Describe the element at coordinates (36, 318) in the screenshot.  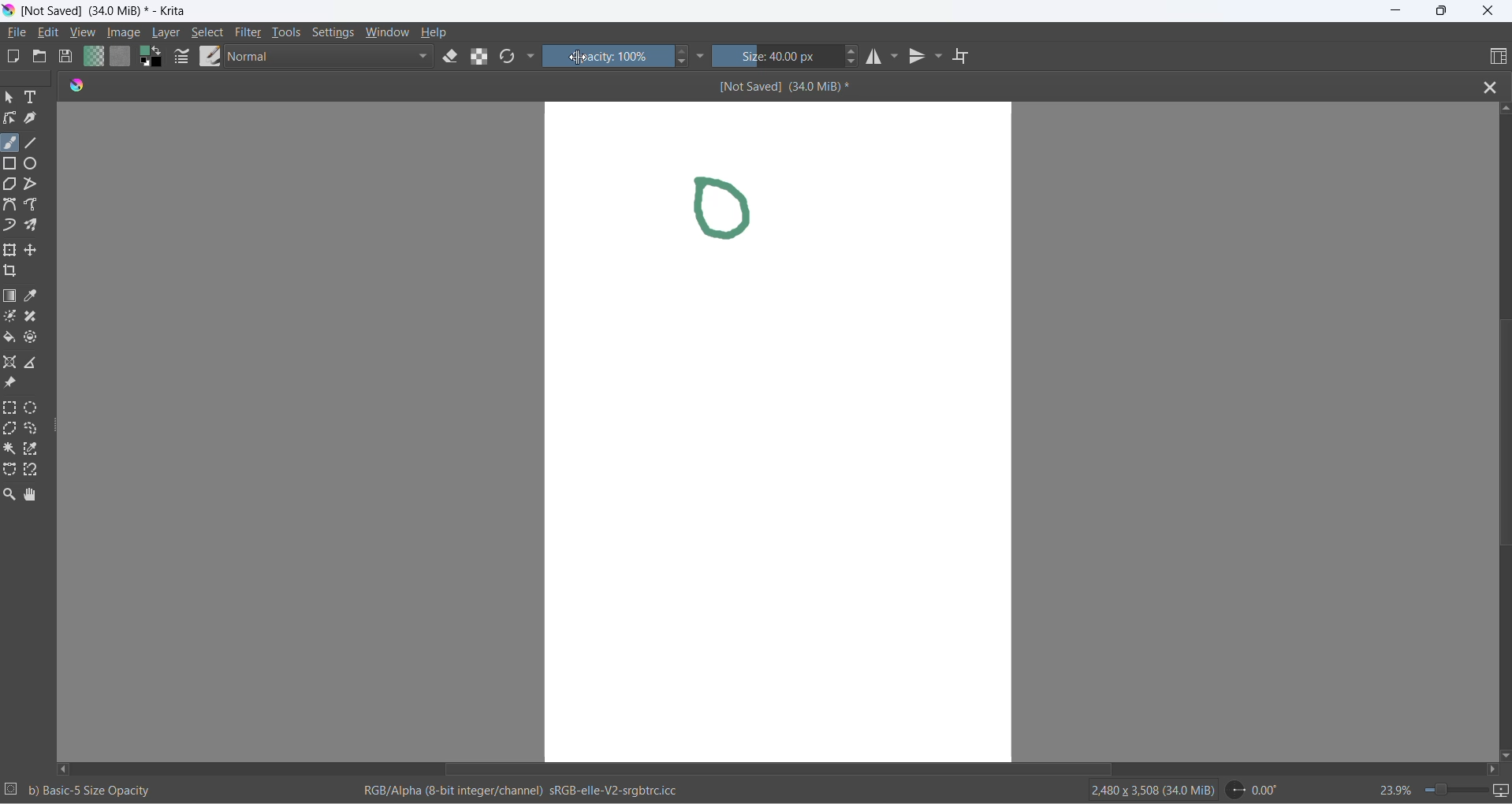
I see `smart patch tool` at that location.